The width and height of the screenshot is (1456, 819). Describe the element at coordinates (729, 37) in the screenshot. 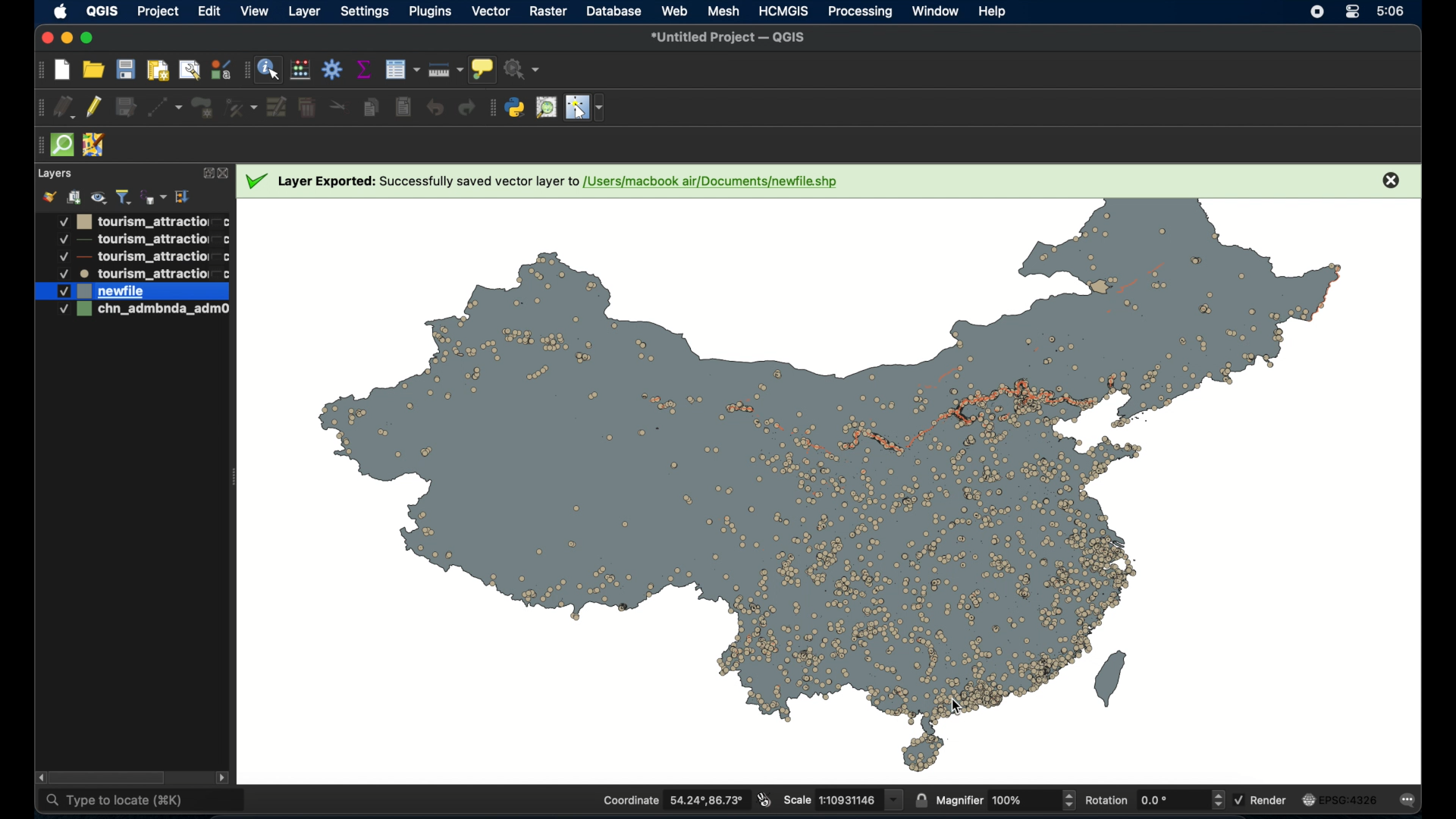

I see `untitled project - QGIS` at that location.